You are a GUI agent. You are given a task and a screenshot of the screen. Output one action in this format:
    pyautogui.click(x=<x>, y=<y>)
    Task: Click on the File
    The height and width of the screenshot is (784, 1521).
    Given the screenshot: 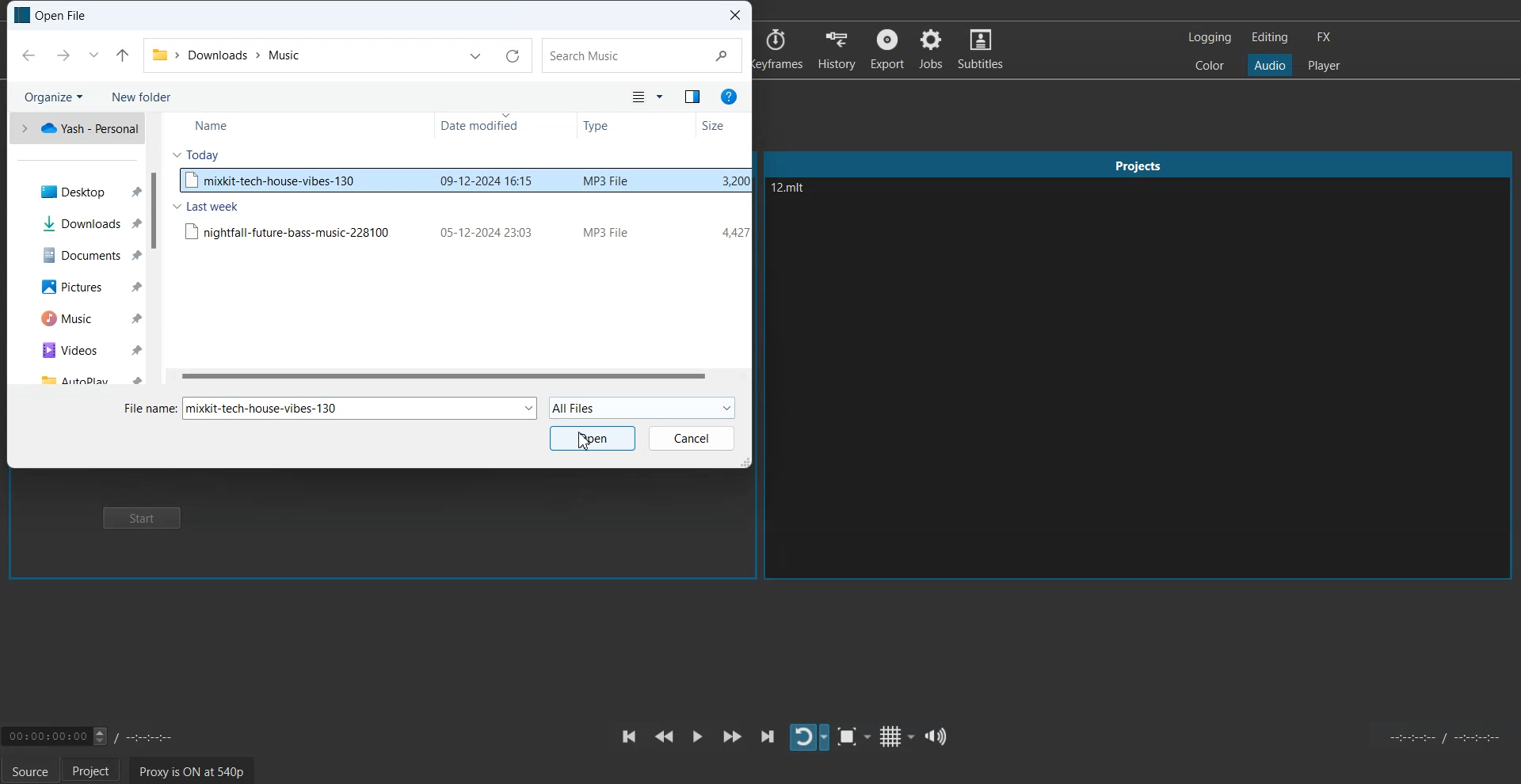 What is the action you would take?
    pyautogui.click(x=463, y=230)
    